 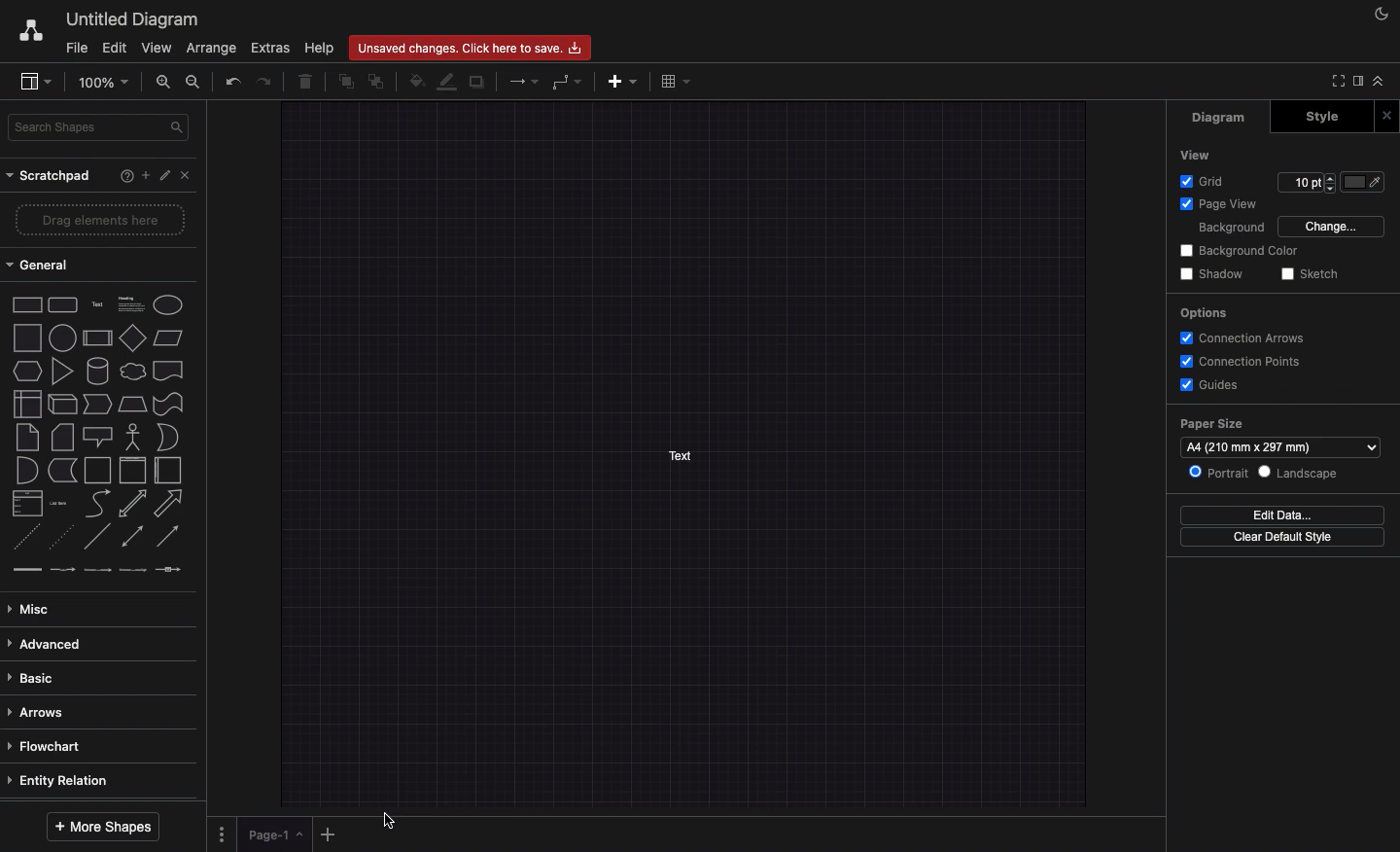 What do you see at coordinates (37, 80) in the screenshot?
I see `Sidebar` at bounding box center [37, 80].